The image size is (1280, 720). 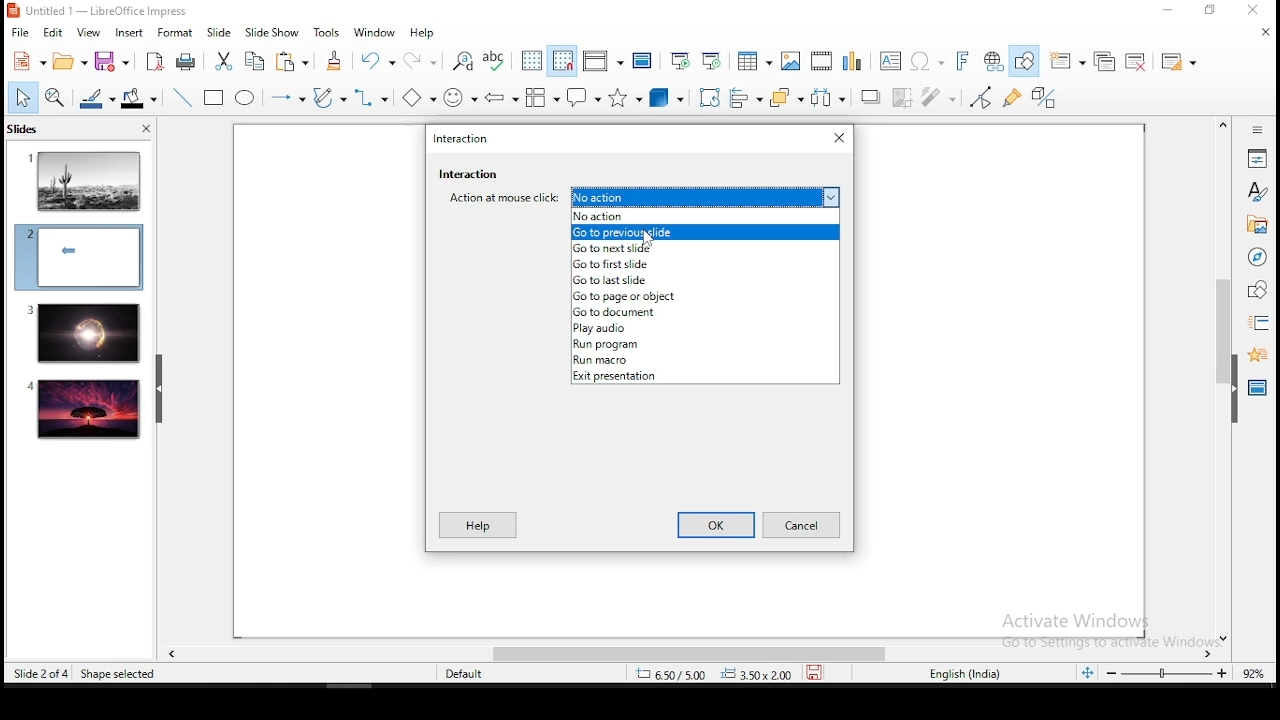 I want to click on snap to grid, so click(x=564, y=60).